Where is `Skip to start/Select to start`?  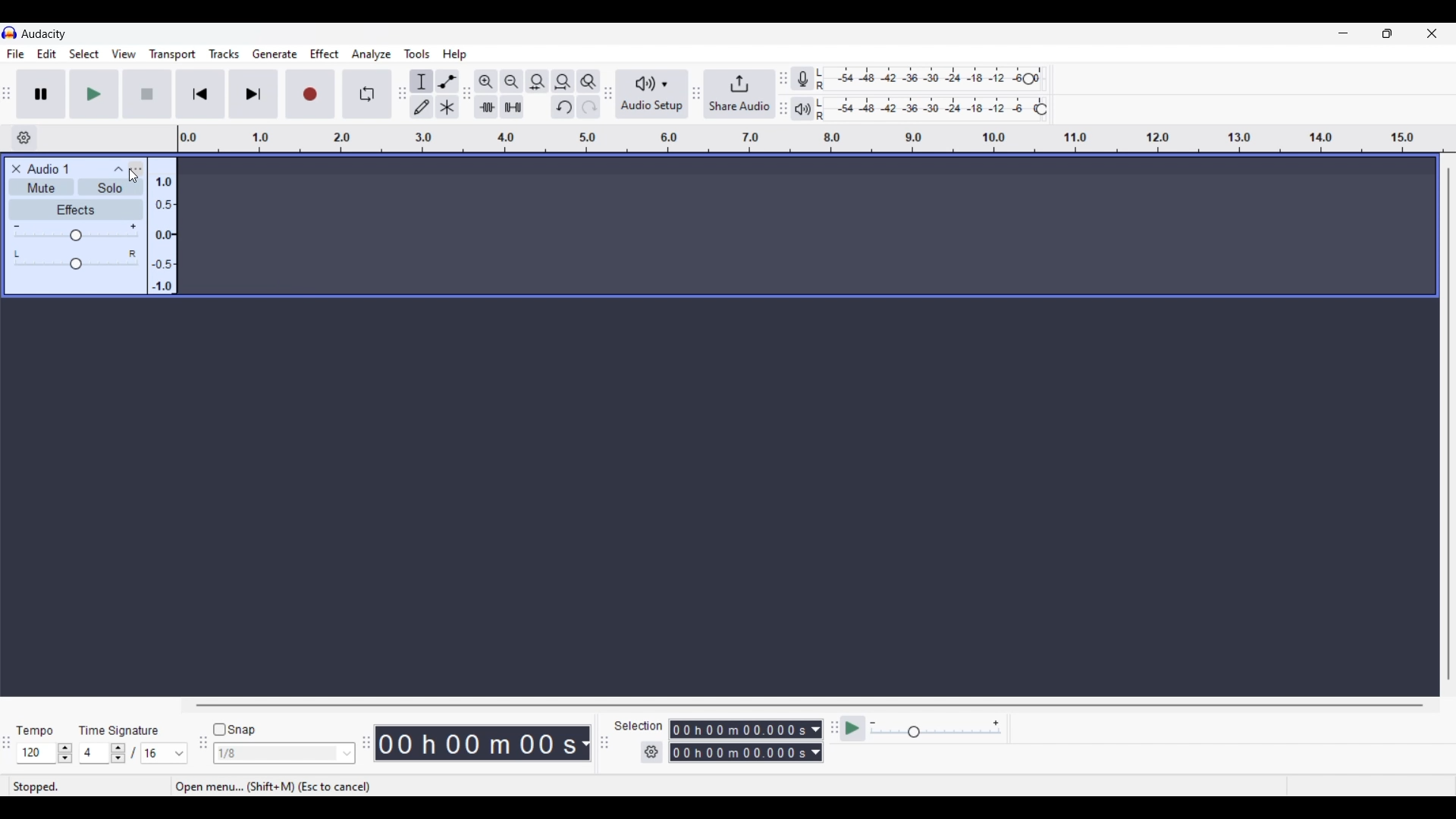
Skip to start/Select to start is located at coordinates (200, 93).